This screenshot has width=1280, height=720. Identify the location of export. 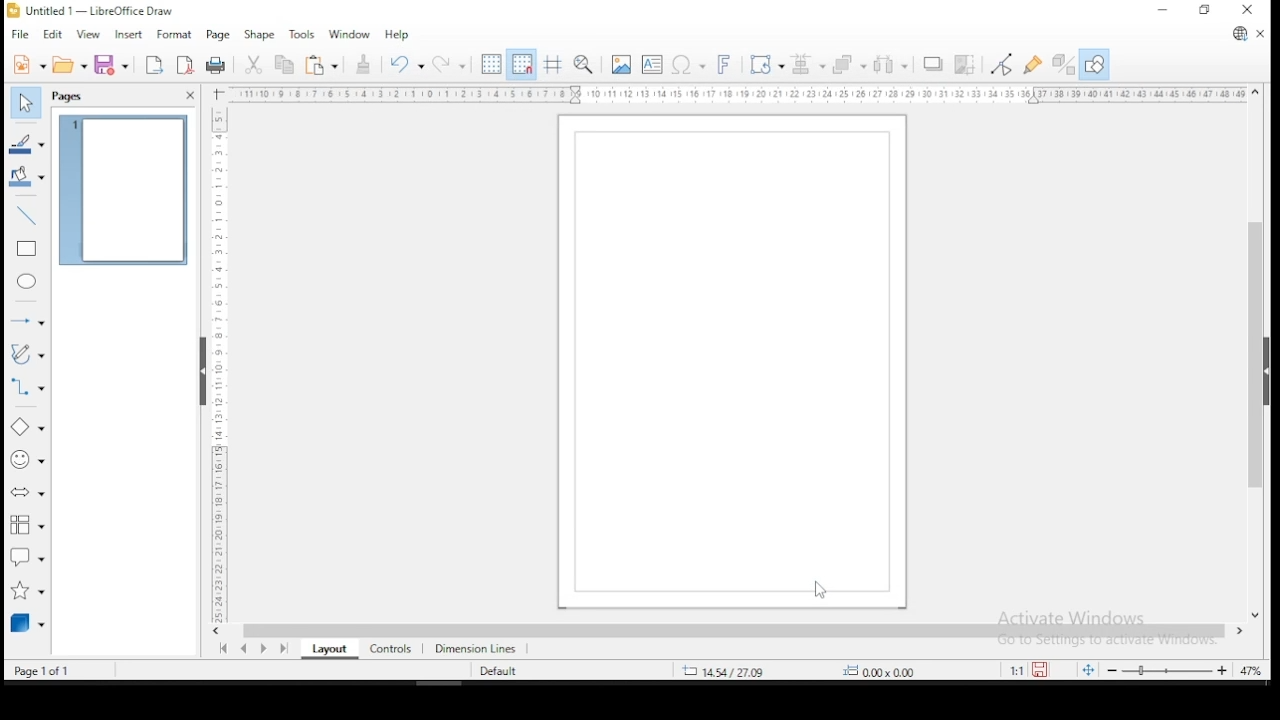
(153, 65).